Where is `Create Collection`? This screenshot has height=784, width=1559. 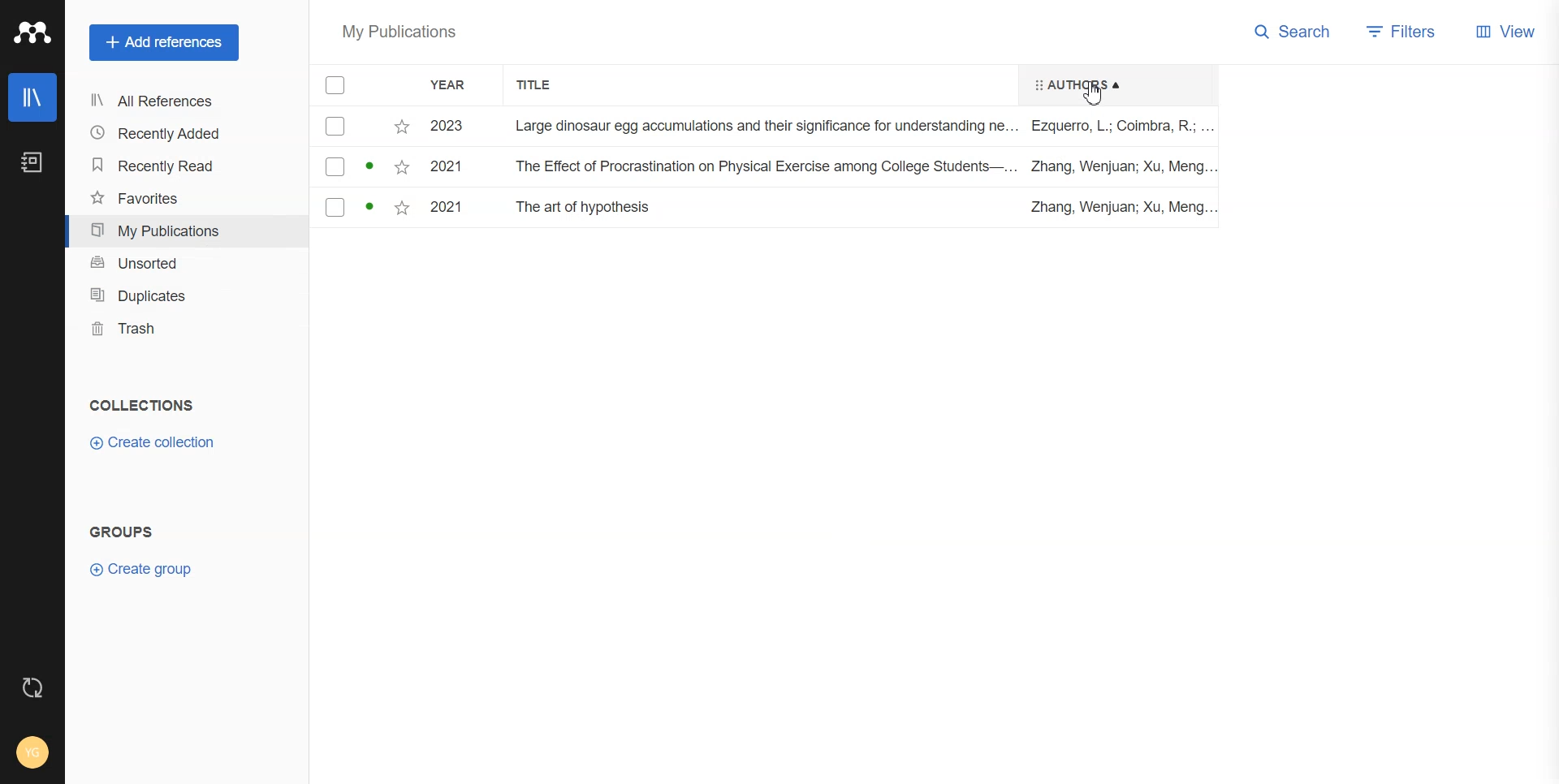 Create Collection is located at coordinates (152, 442).